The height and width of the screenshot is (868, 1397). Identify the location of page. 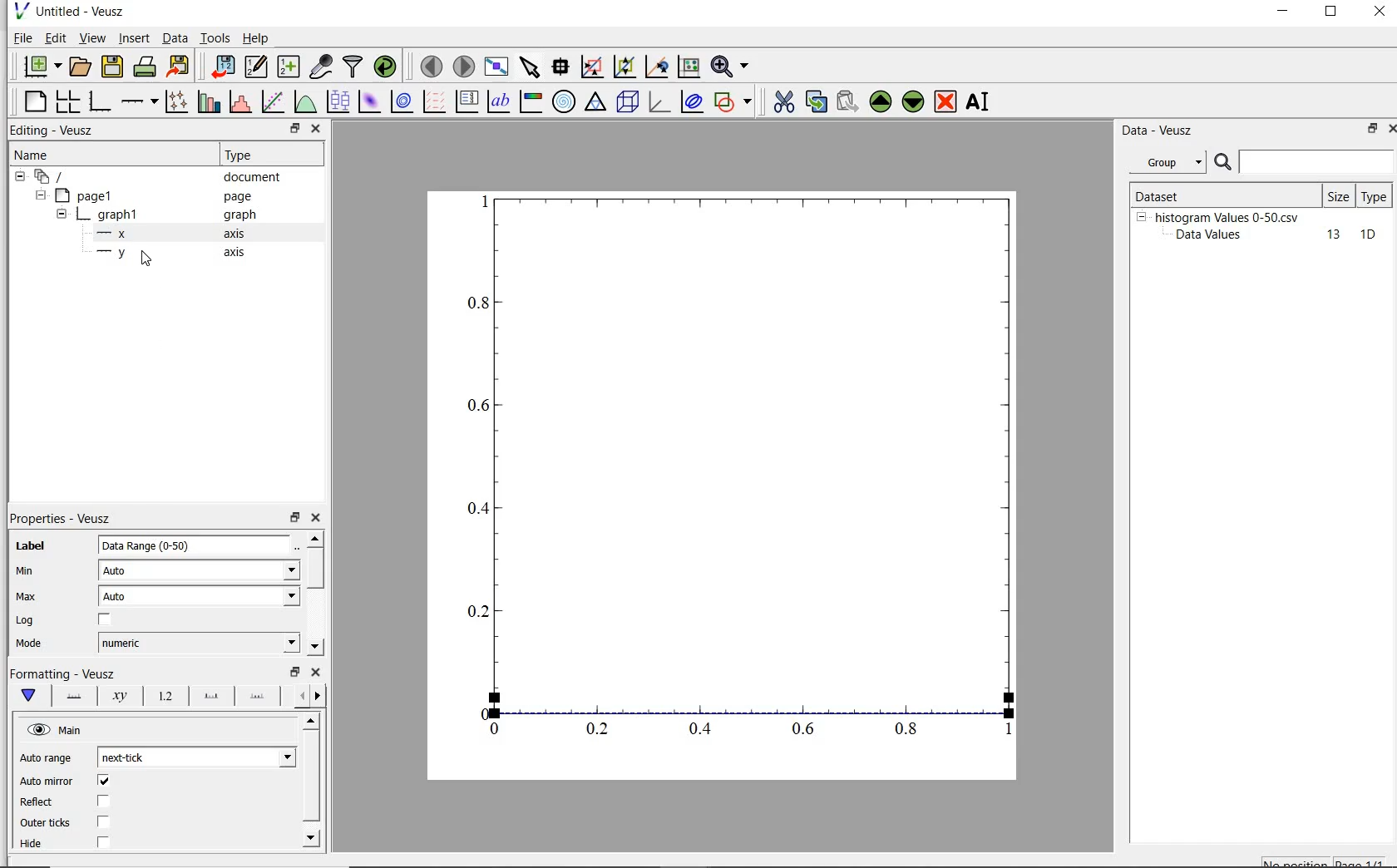
(246, 197).